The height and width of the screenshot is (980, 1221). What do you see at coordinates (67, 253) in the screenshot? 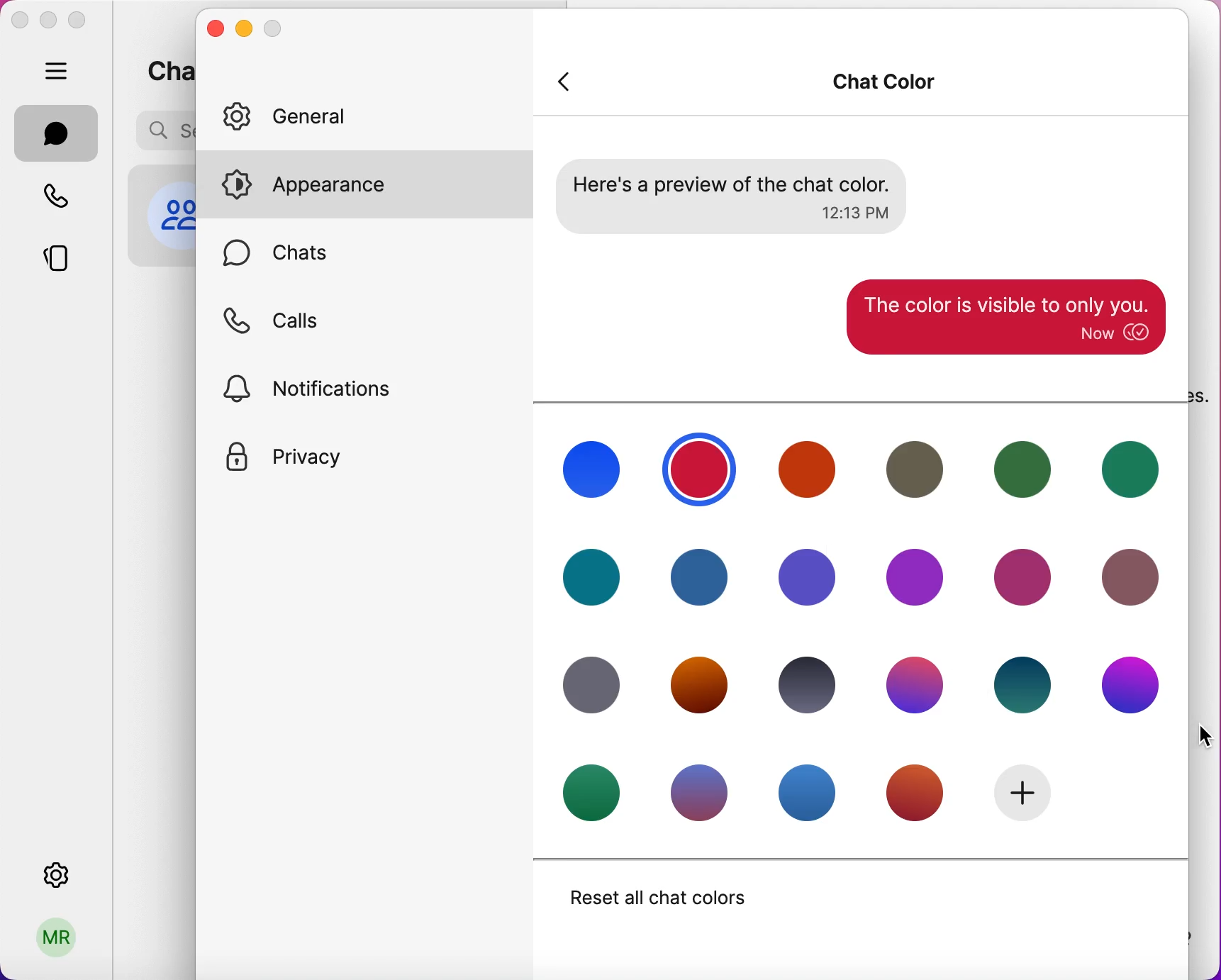
I see `stories` at bounding box center [67, 253].